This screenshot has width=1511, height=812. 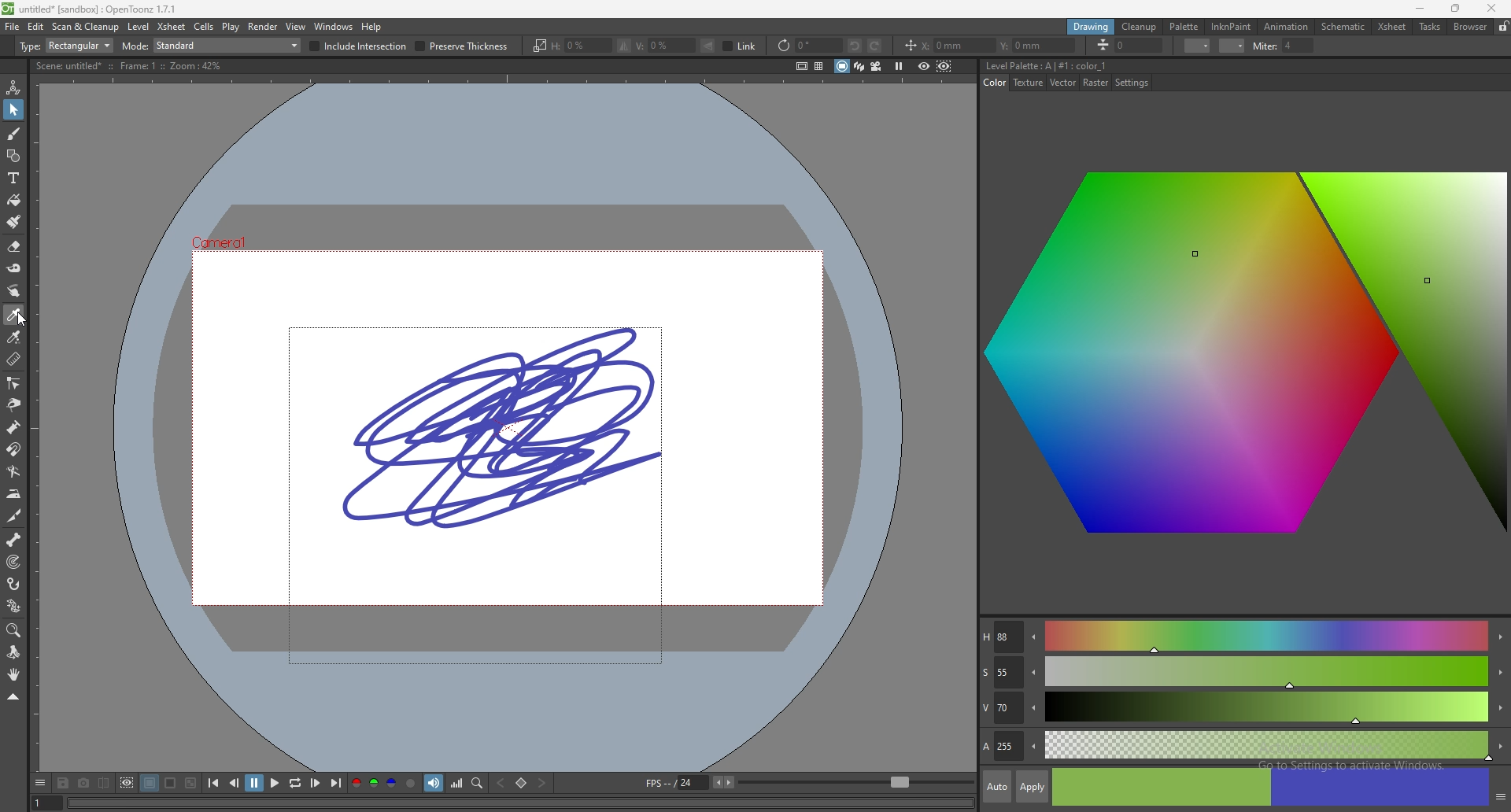 I want to click on options, so click(x=42, y=783).